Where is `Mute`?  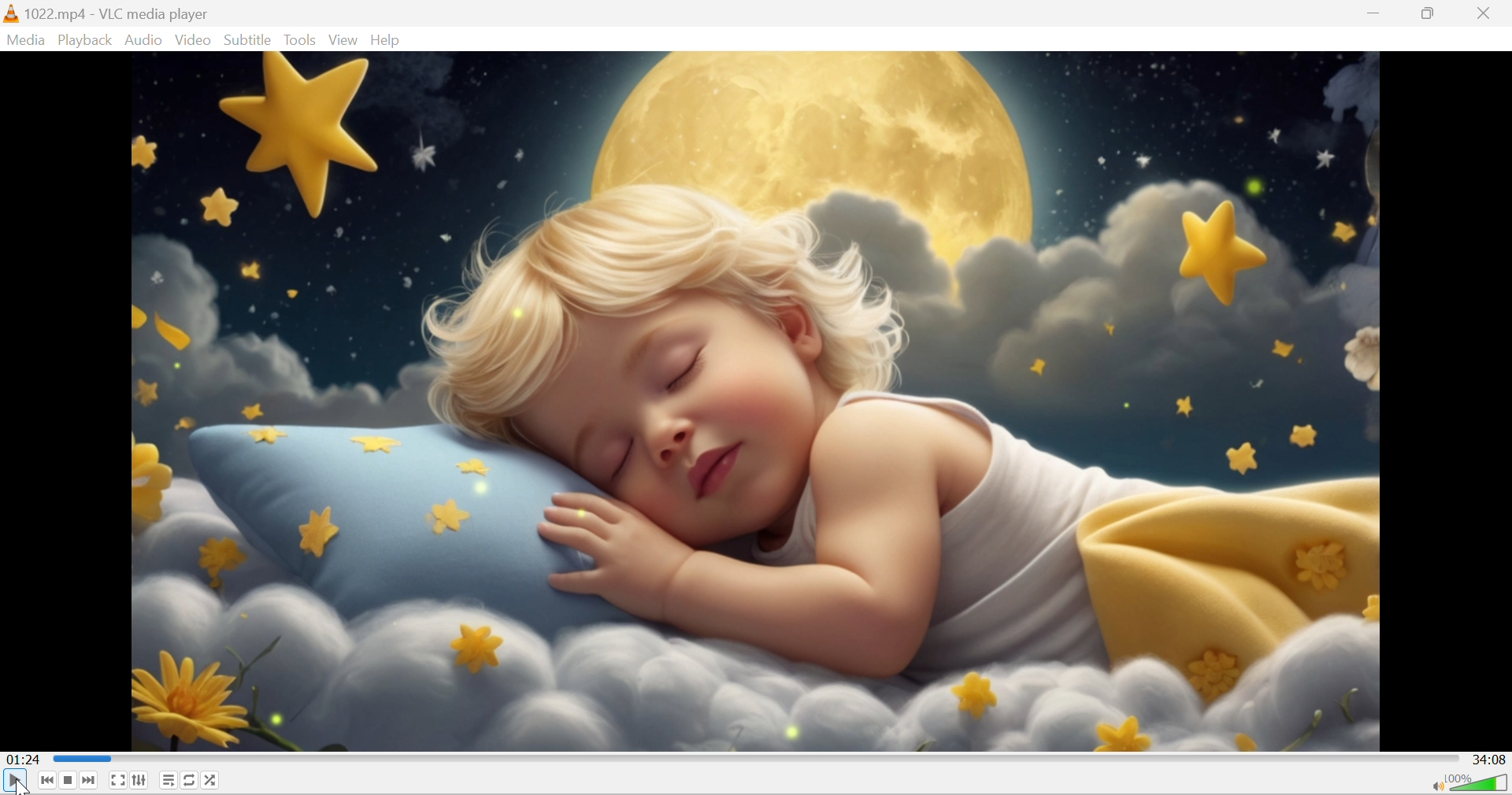 Mute is located at coordinates (1436, 786).